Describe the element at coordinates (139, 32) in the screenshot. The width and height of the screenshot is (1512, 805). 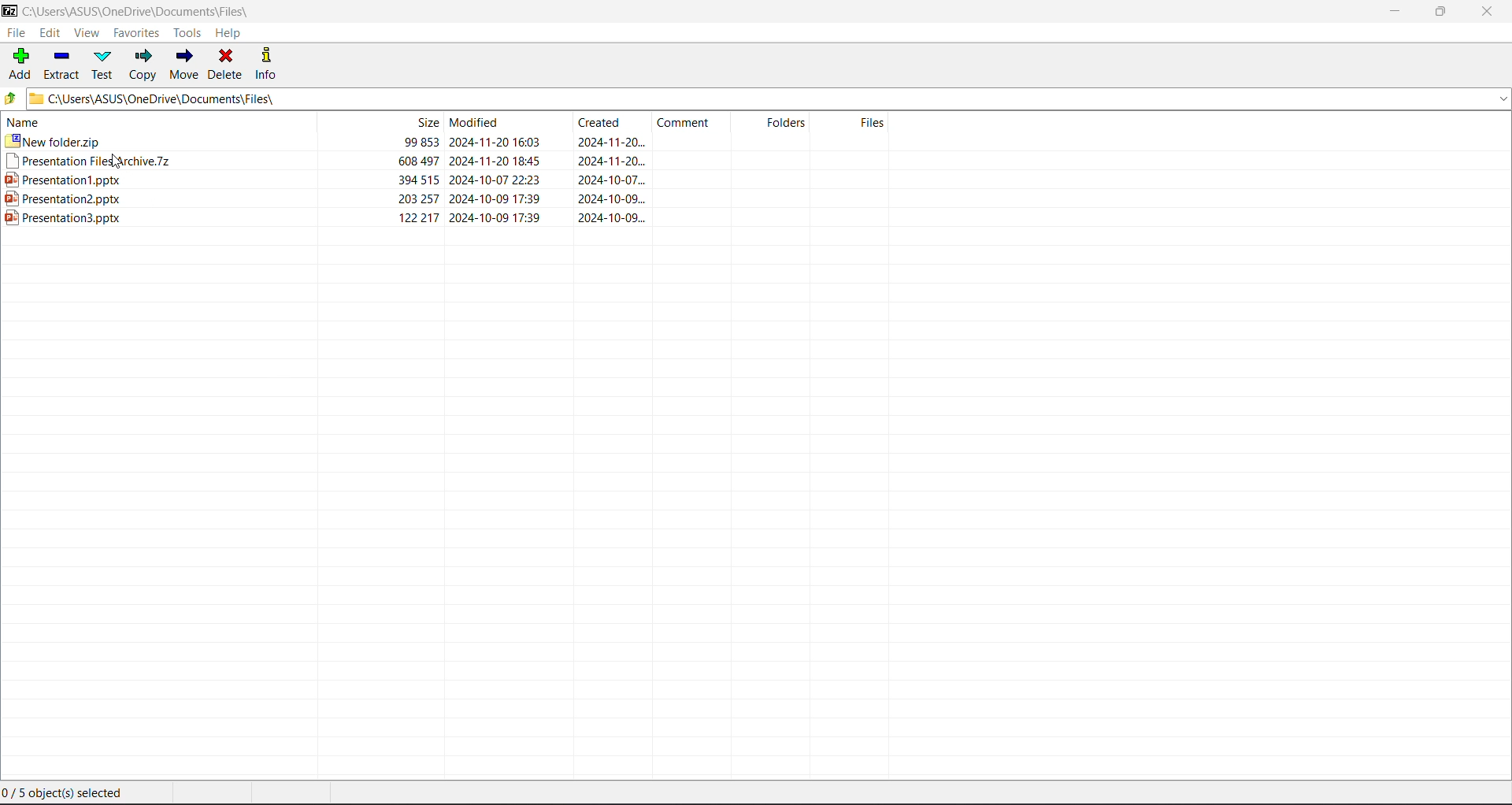
I see `Favorites` at that location.